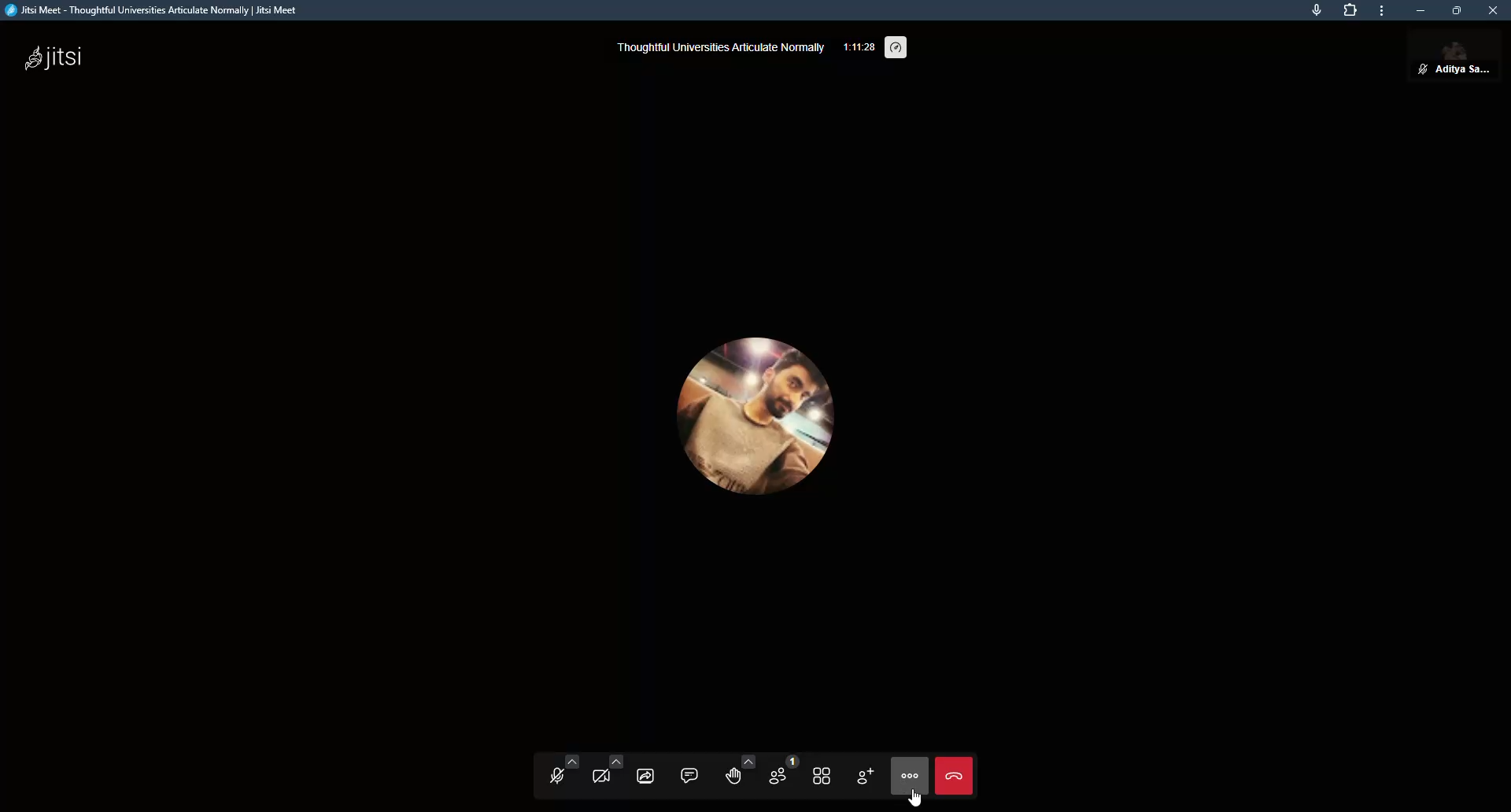 The width and height of the screenshot is (1511, 812). Describe the element at coordinates (1347, 10) in the screenshot. I see `extensions` at that location.